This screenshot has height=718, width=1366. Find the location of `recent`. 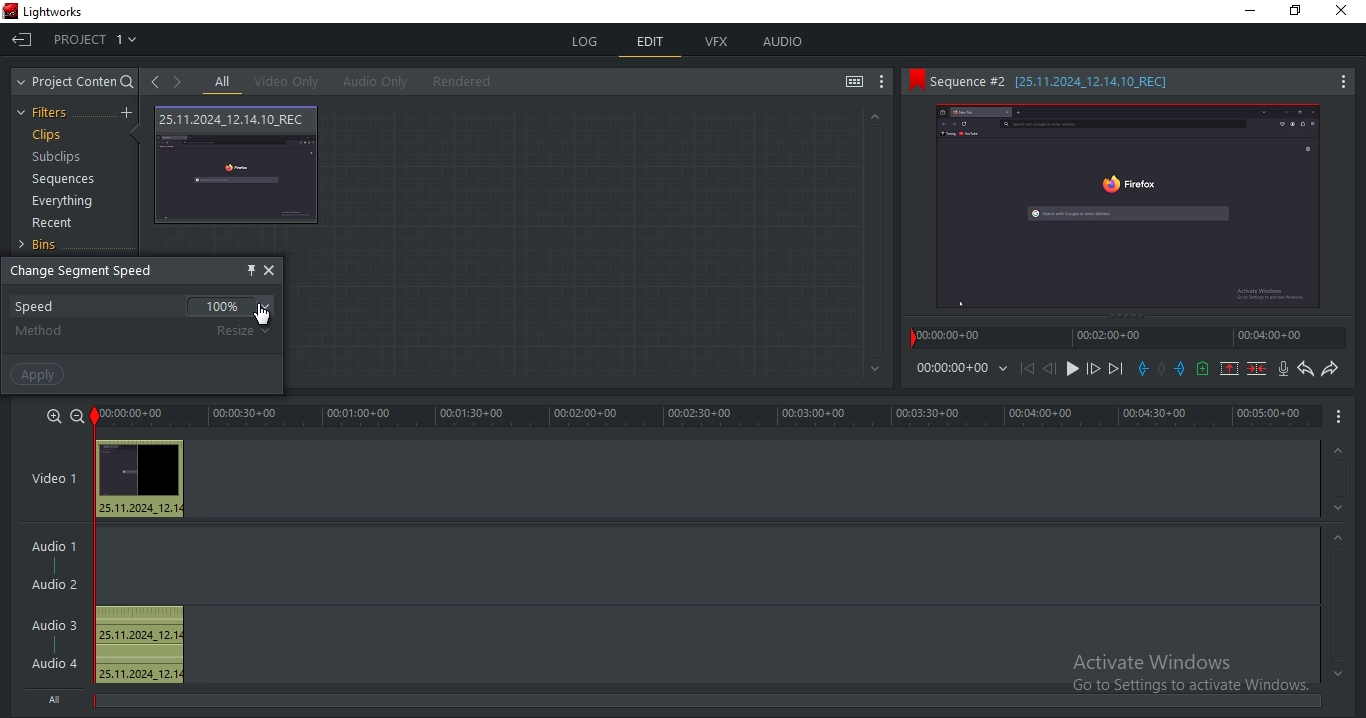

recent is located at coordinates (55, 225).